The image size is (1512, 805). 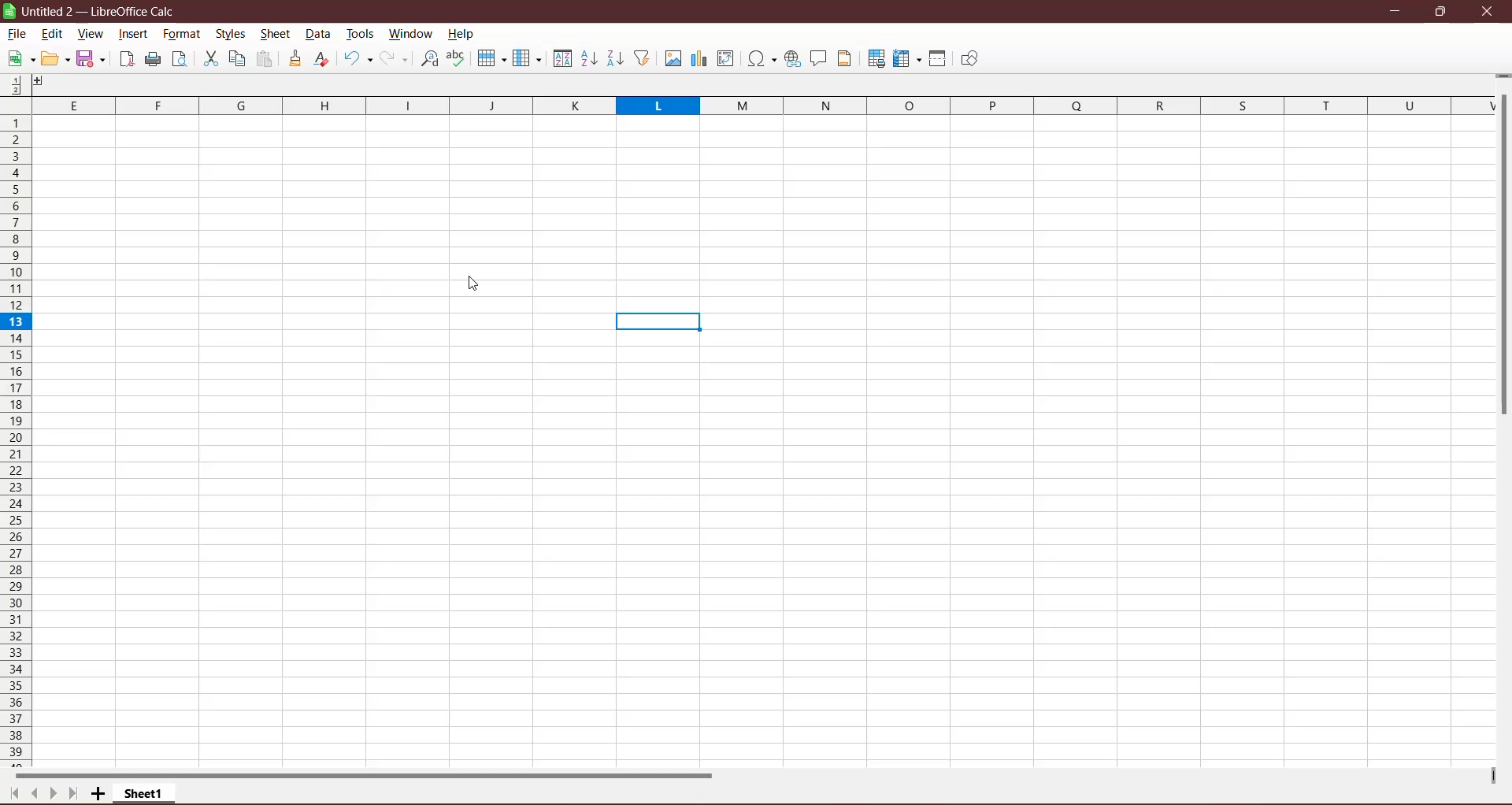 I want to click on Scroll to last page, so click(x=72, y=795).